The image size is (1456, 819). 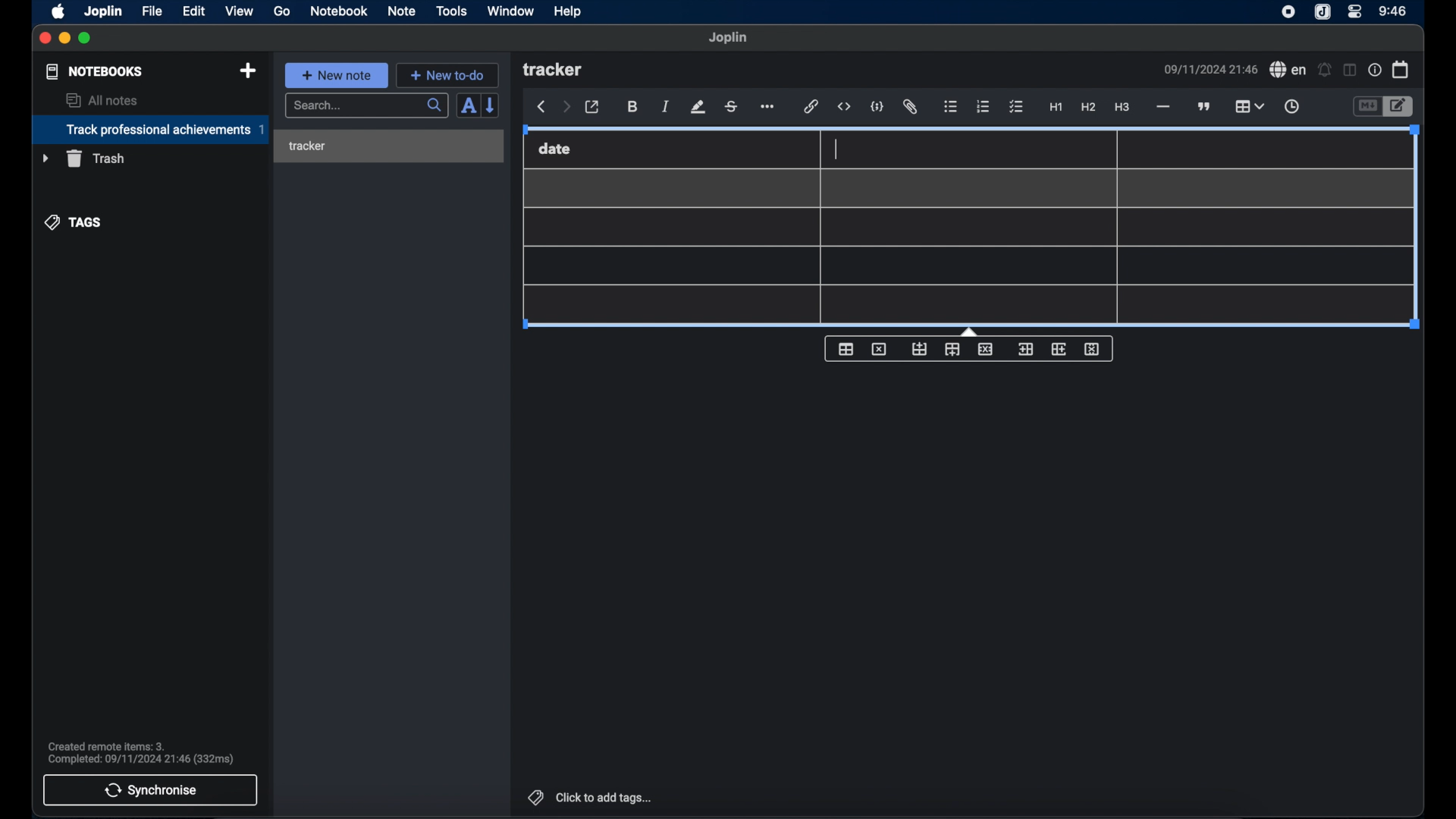 I want to click on toggle editor layout, so click(x=1348, y=71).